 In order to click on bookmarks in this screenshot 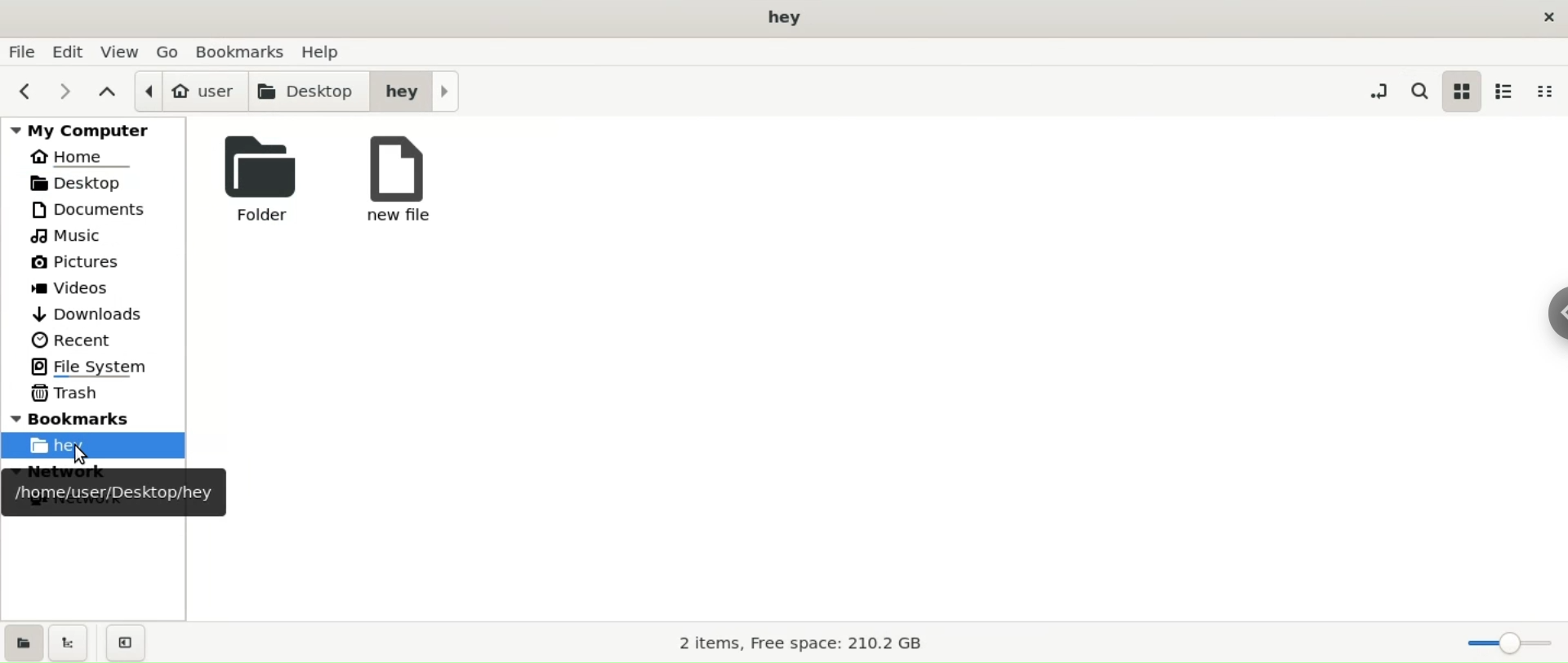, I will do `click(243, 51)`.